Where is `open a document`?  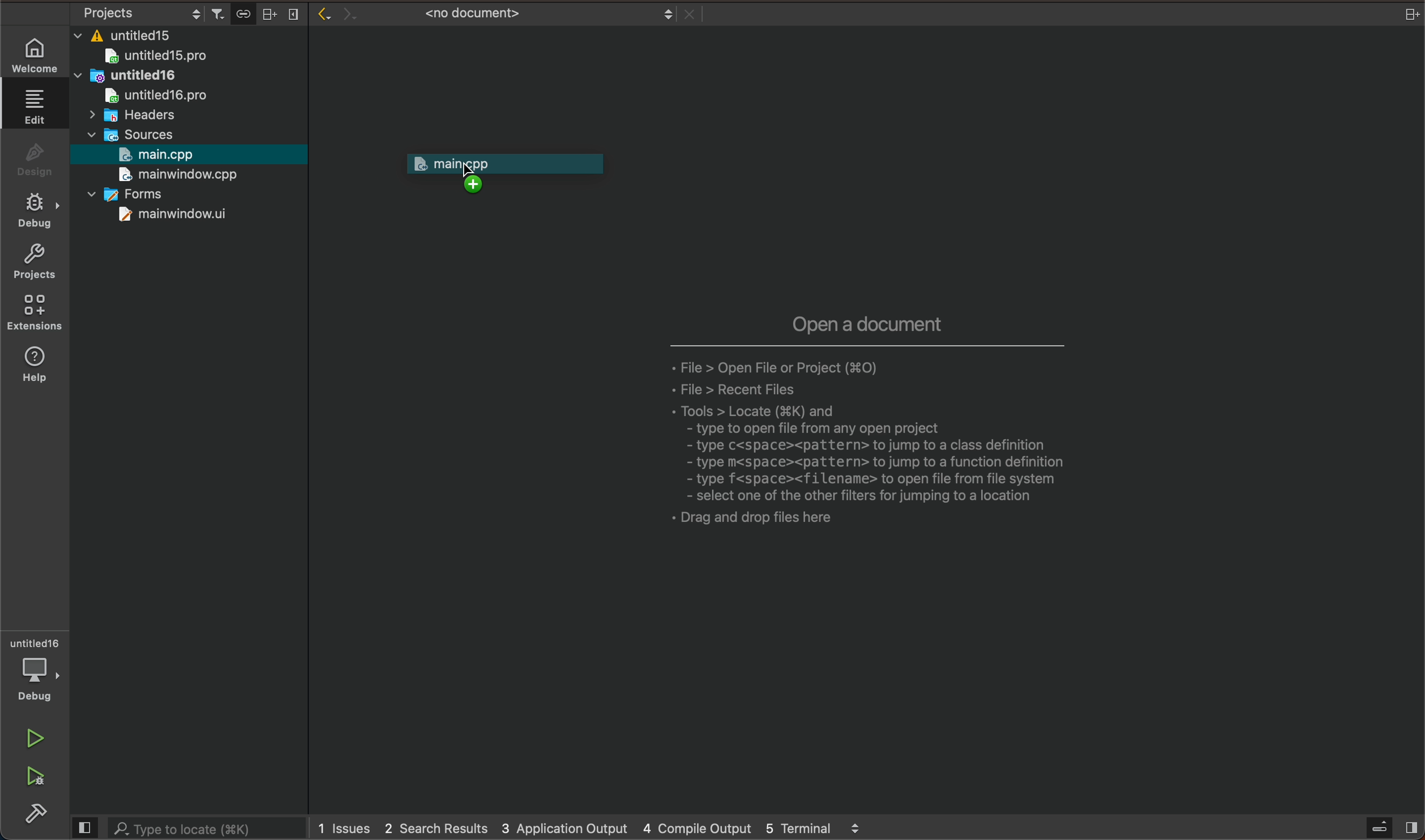
open a document is located at coordinates (835, 425).